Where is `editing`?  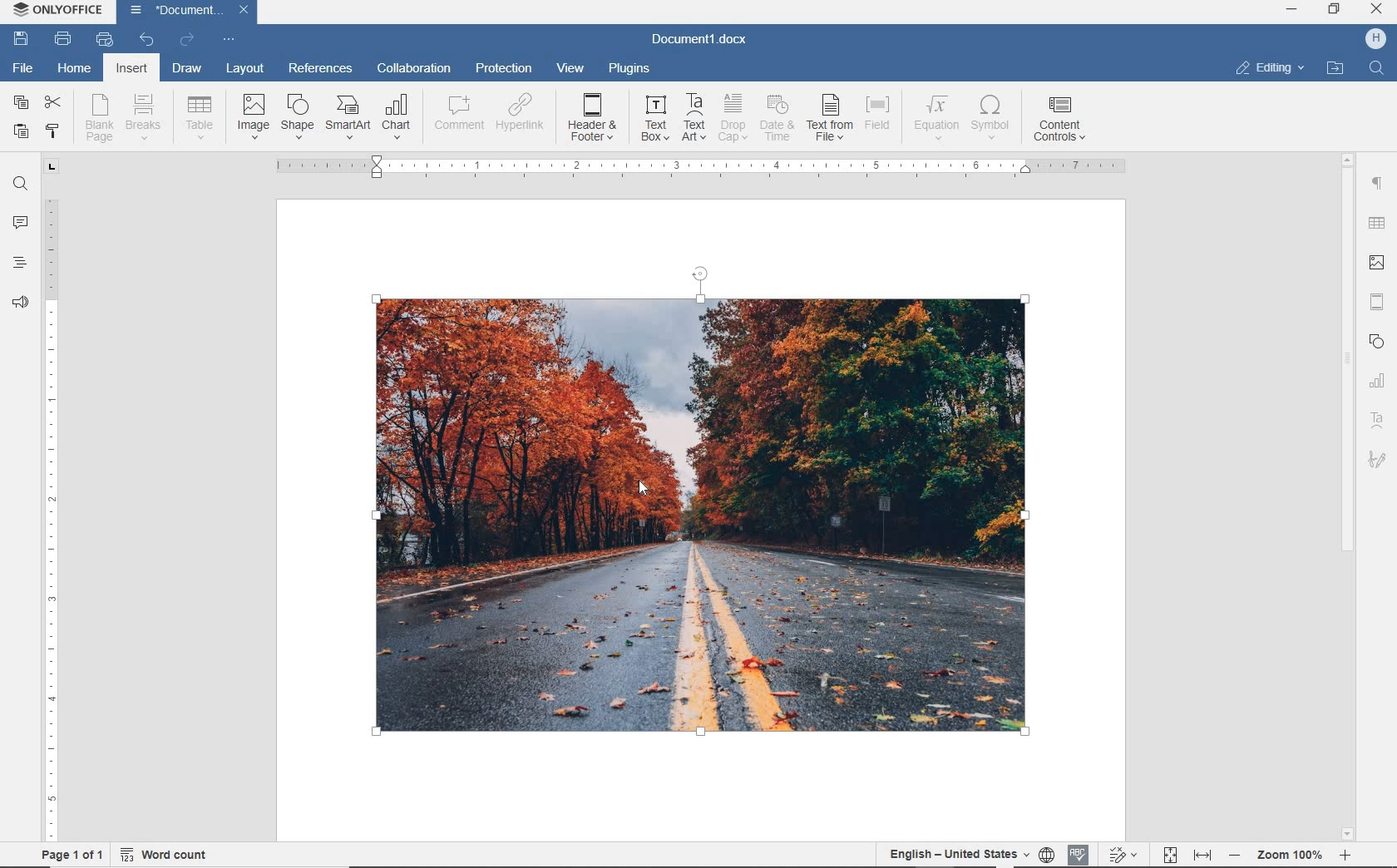
editing is located at coordinates (1272, 67).